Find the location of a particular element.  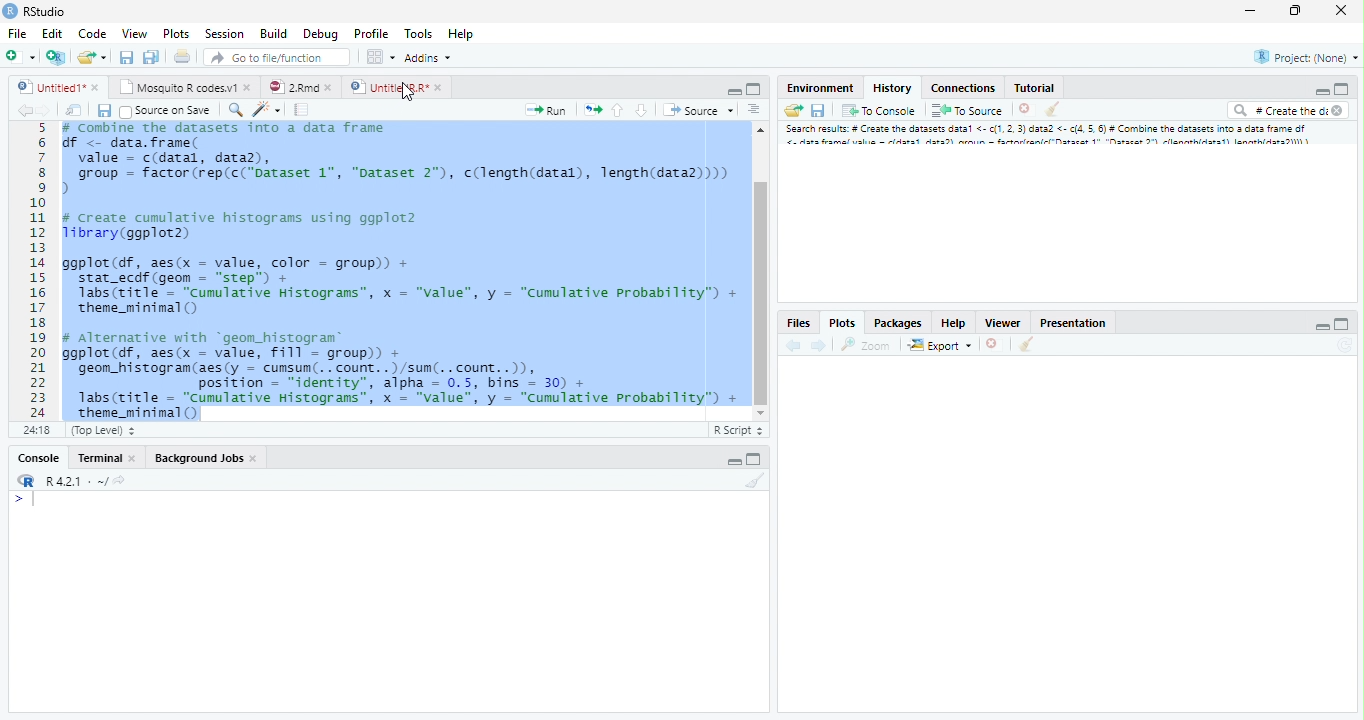

Environment is located at coordinates (819, 88).